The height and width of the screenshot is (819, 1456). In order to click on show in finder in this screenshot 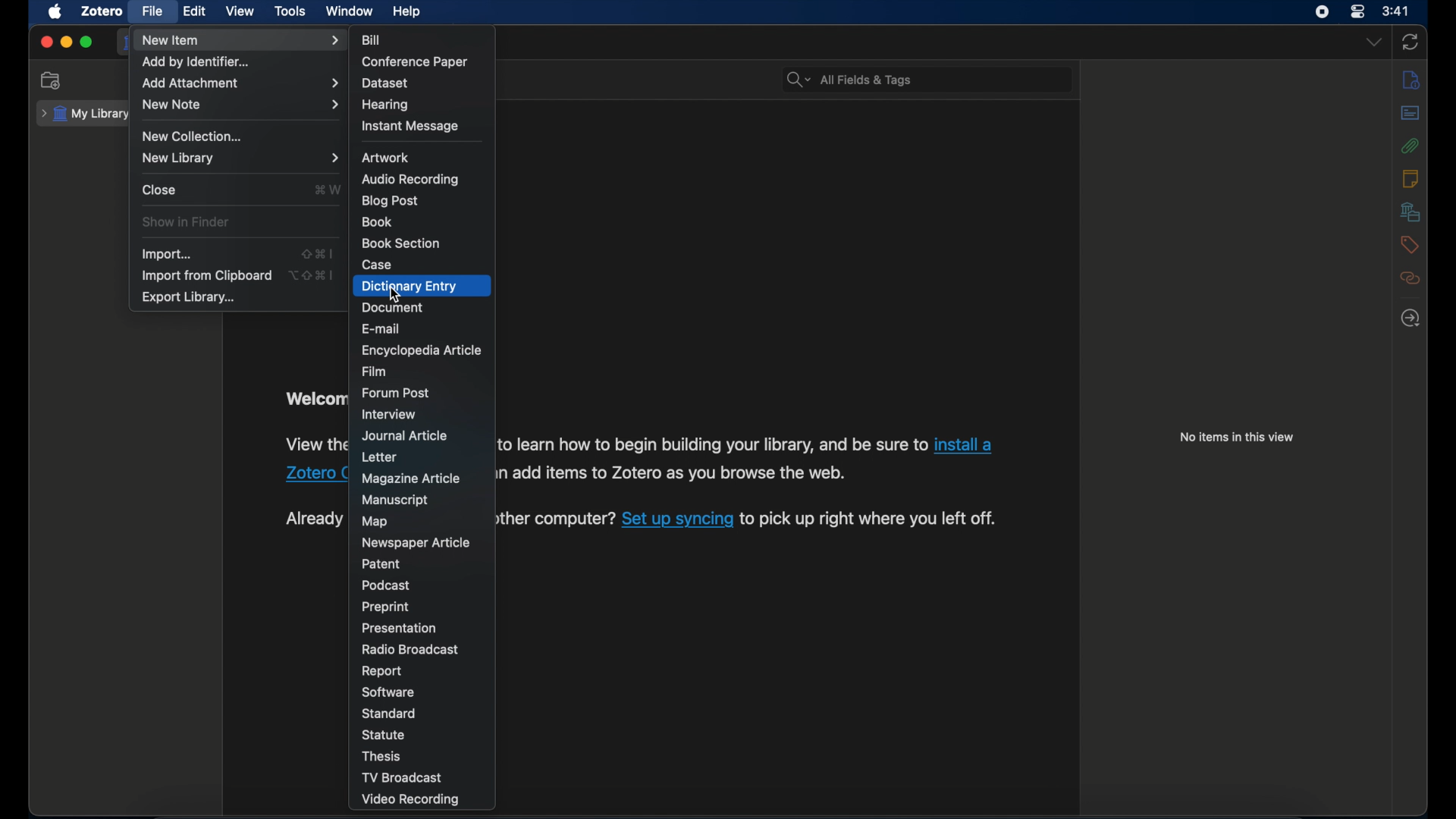, I will do `click(187, 222)`.